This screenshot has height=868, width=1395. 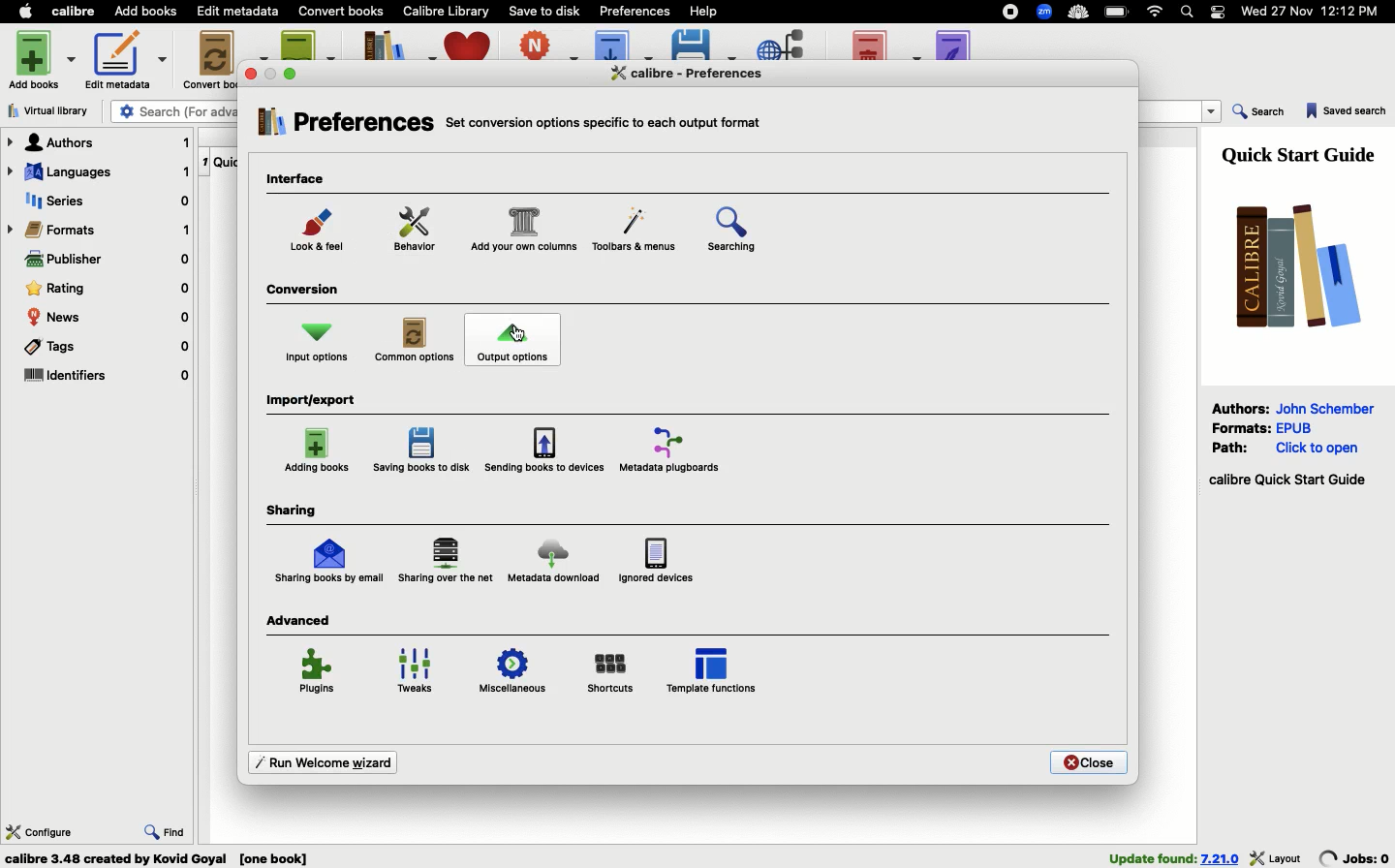 What do you see at coordinates (416, 230) in the screenshot?
I see `Behavior` at bounding box center [416, 230].